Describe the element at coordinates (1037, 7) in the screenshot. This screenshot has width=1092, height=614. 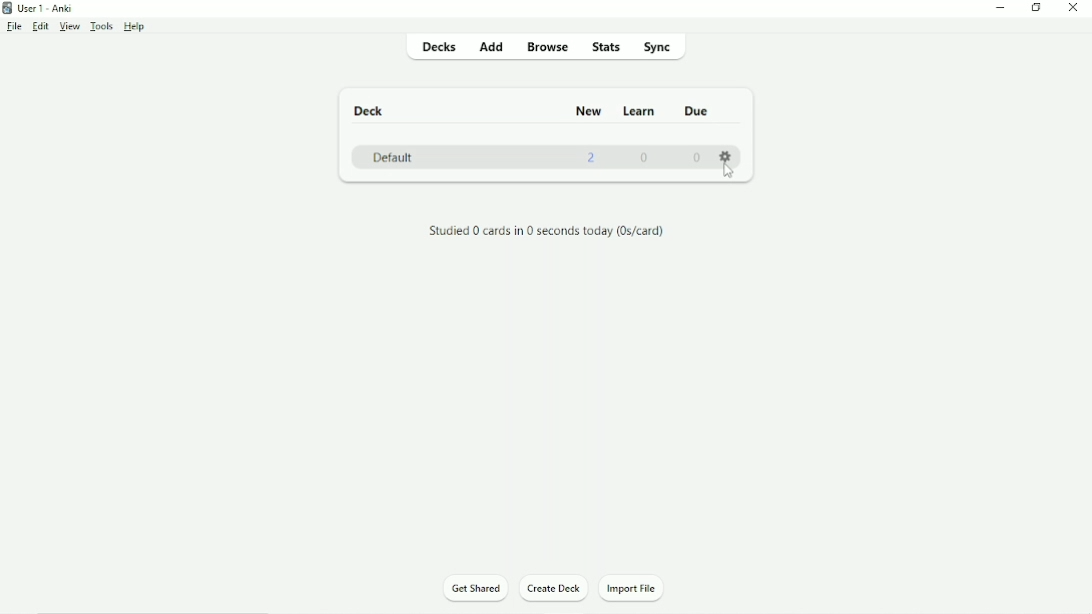
I see `Restore down` at that location.